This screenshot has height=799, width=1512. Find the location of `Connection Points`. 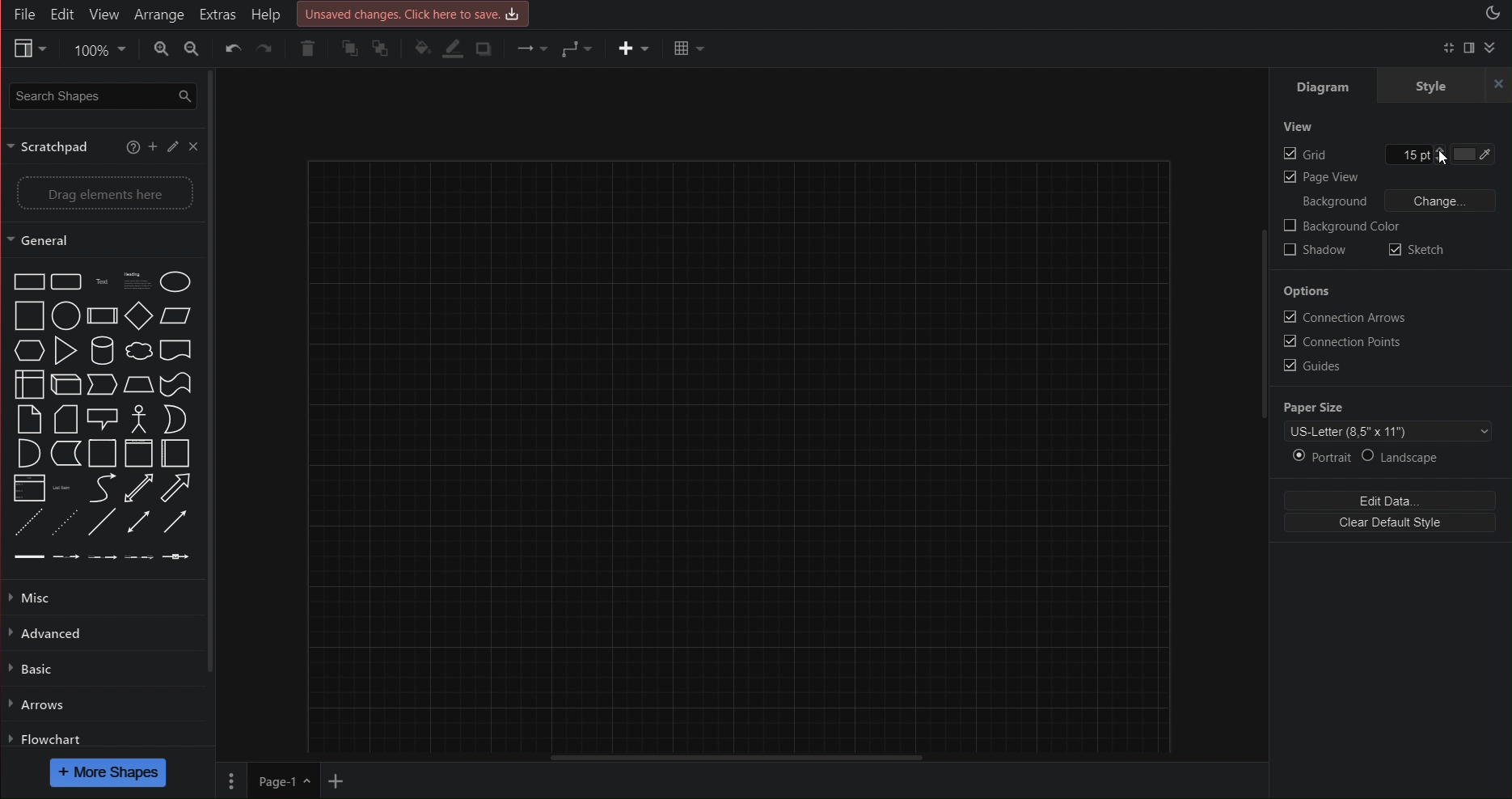

Connection Points is located at coordinates (1340, 340).